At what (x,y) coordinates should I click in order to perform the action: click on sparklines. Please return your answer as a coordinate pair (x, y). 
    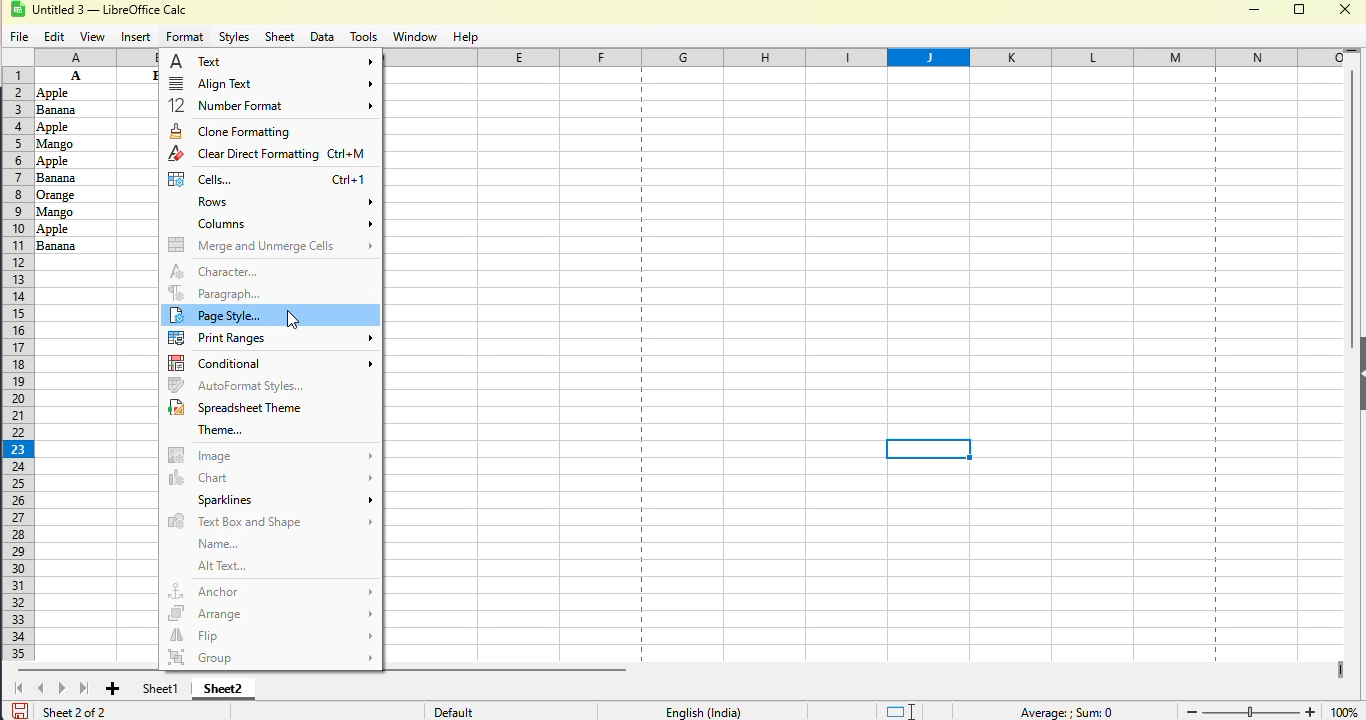
    Looking at the image, I should click on (283, 500).